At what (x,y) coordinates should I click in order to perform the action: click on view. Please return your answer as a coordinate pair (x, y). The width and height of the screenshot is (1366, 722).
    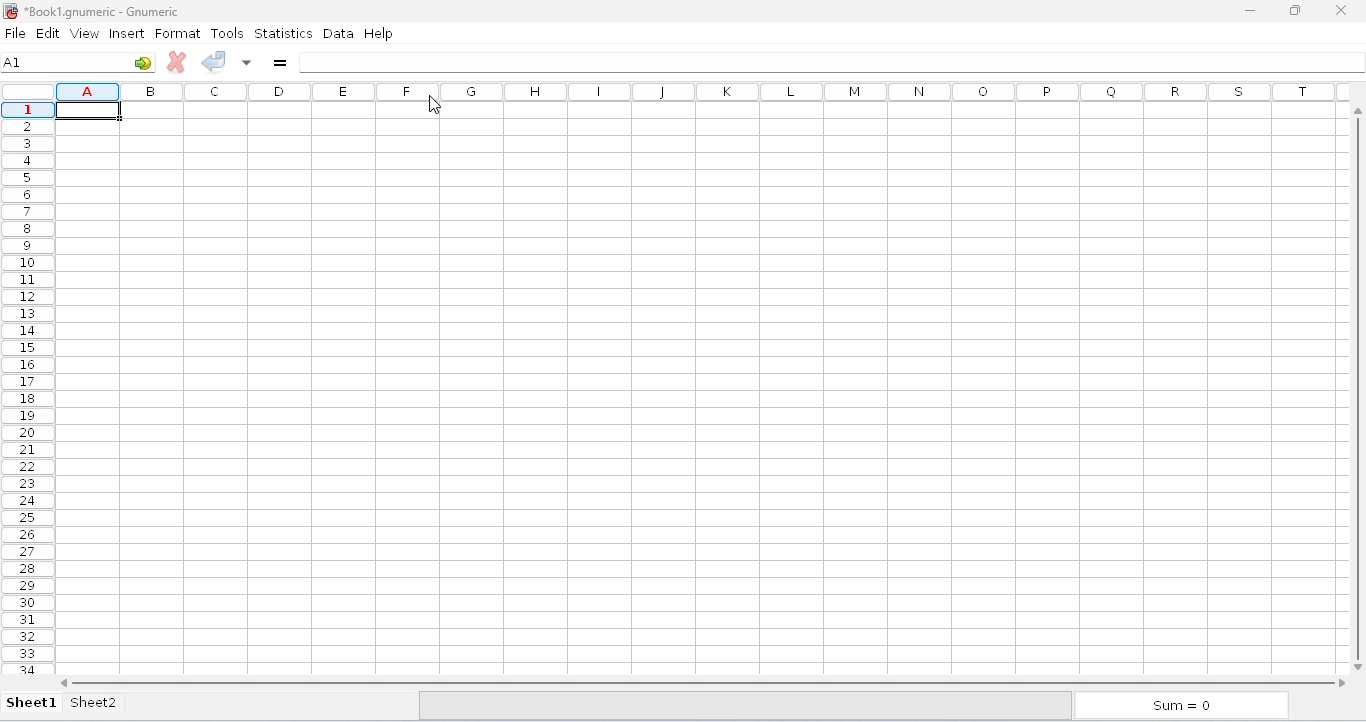
    Looking at the image, I should click on (85, 34).